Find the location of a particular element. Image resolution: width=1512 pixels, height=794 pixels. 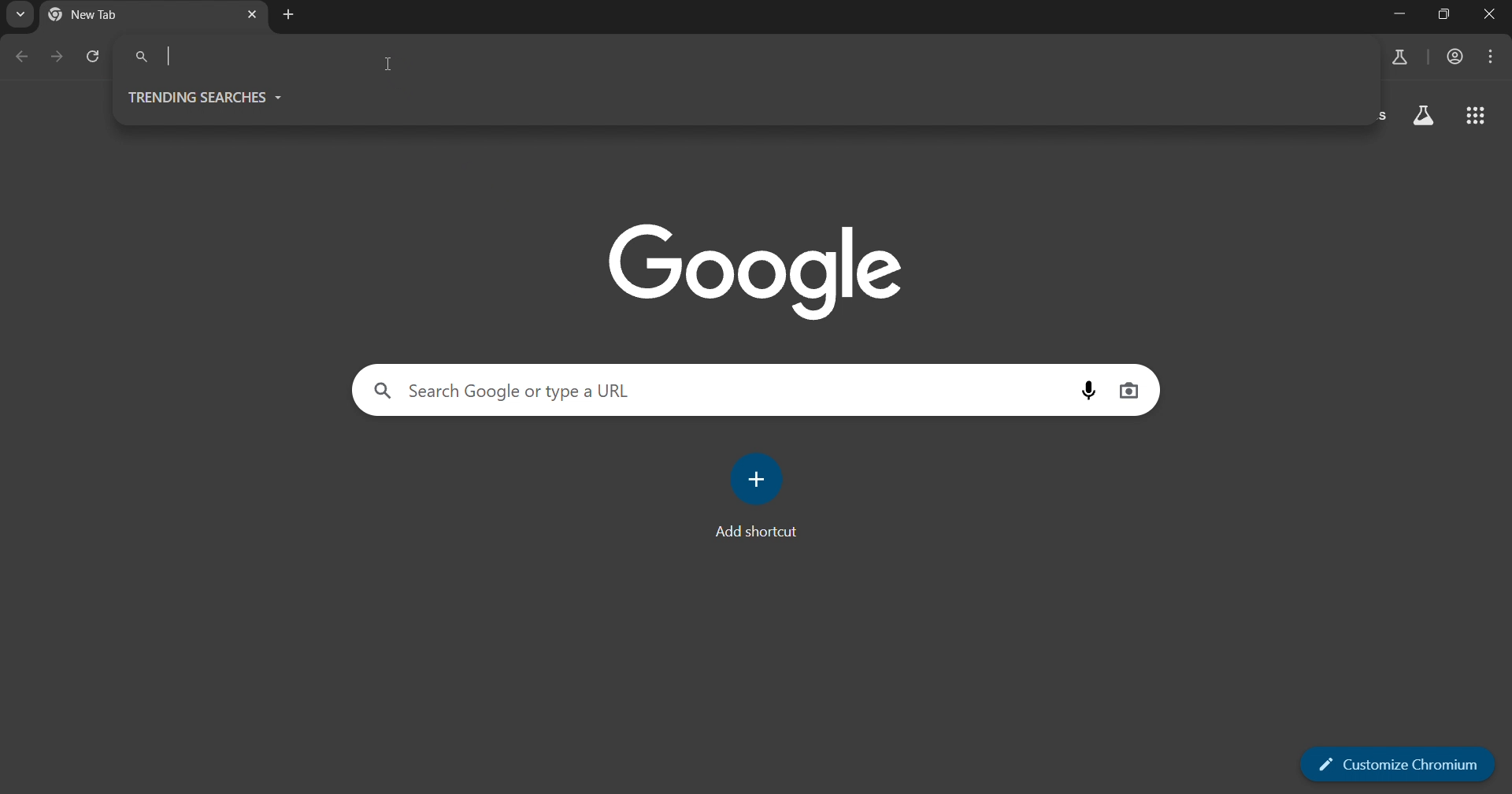

Close is located at coordinates (1492, 17).